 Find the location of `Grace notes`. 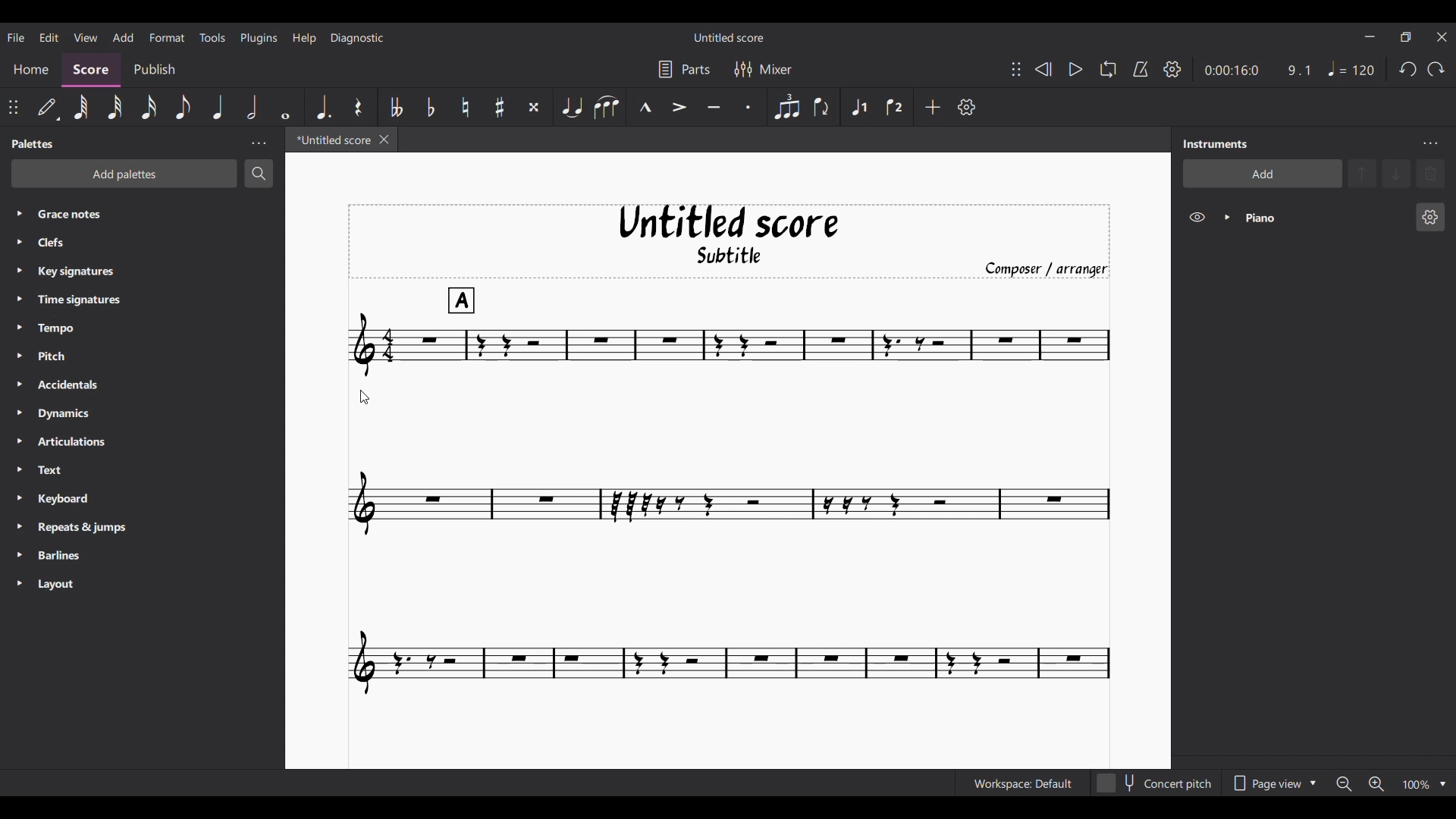

Grace notes is located at coordinates (153, 212).